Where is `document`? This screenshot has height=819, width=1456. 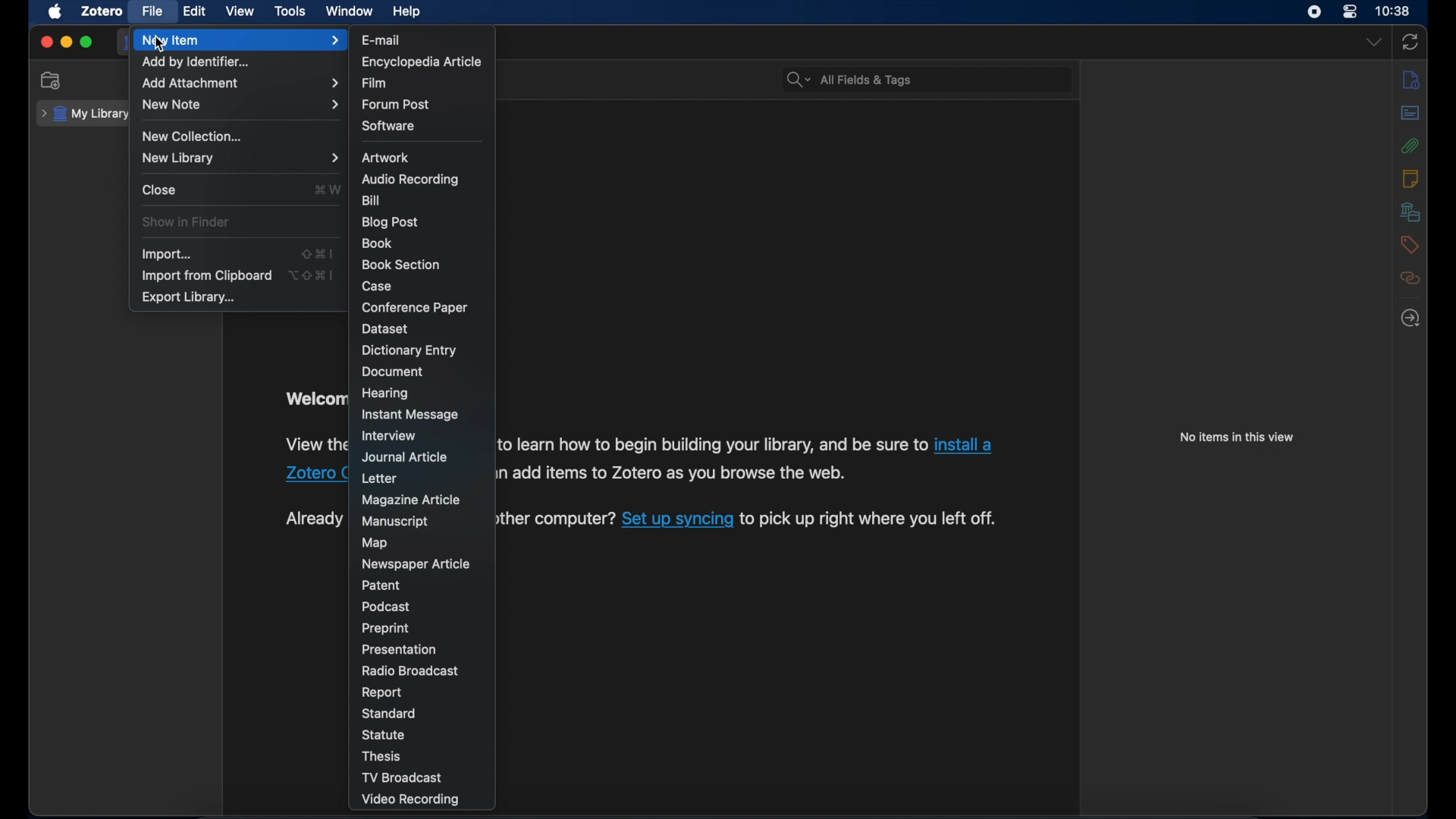
document is located at coordinates (391, 372).